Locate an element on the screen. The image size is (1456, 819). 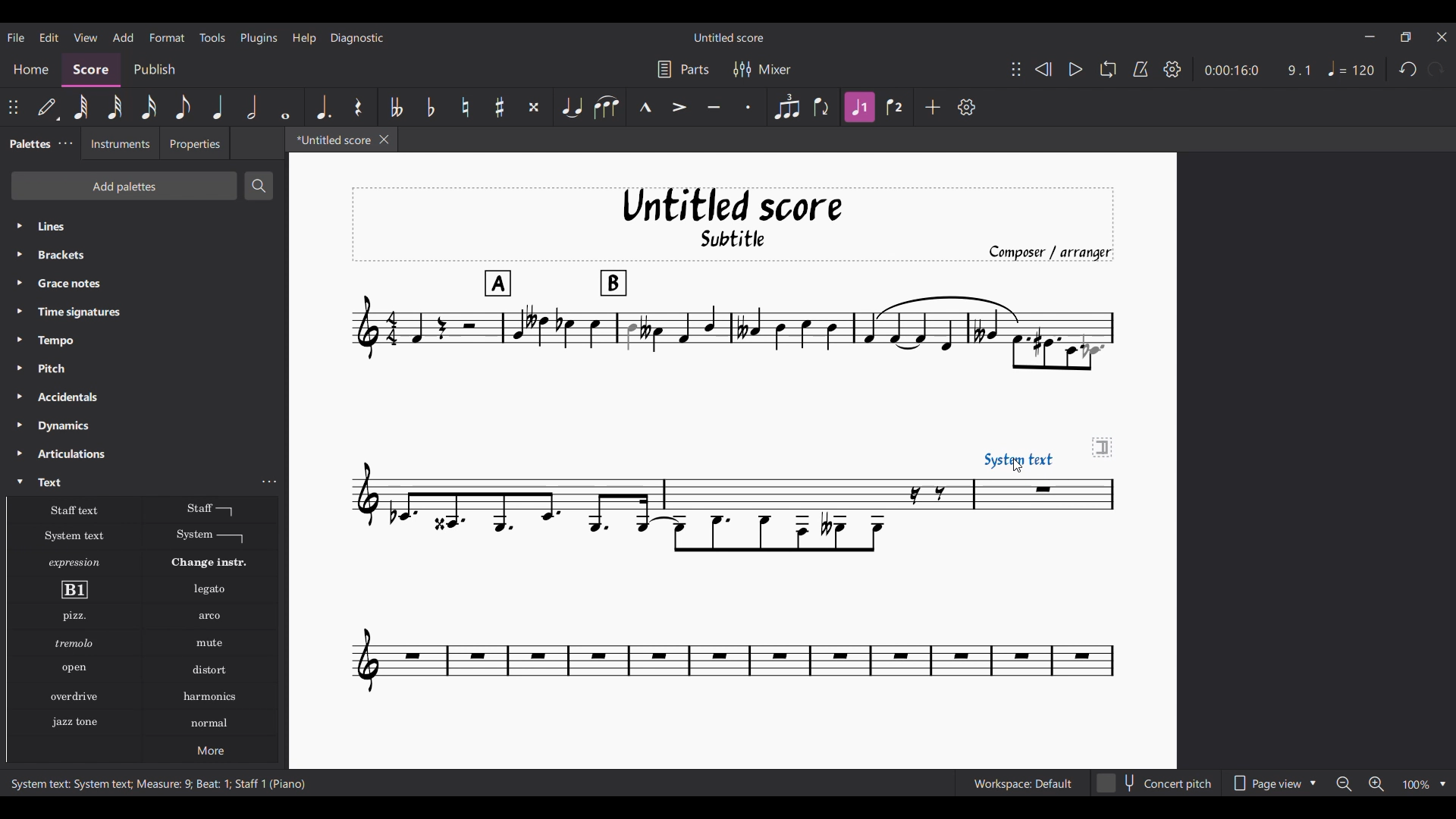
Normal is located at coordinates (210, 723).